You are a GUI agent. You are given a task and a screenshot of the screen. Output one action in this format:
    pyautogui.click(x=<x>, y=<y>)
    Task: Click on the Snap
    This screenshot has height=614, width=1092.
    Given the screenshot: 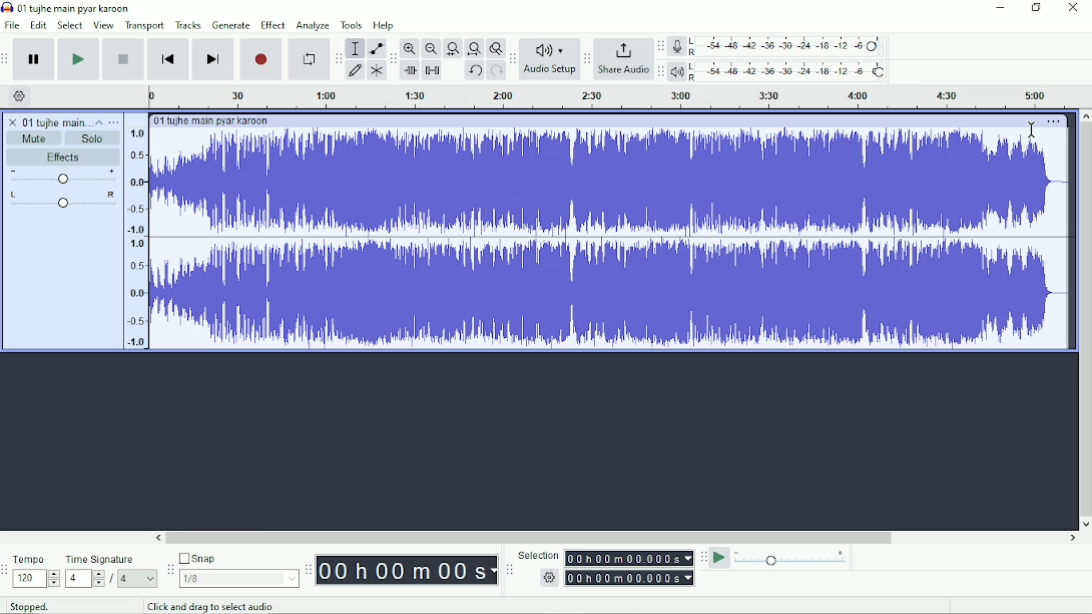 What is the action you would take?
    pyautogui.click(x=239, y=559)
    